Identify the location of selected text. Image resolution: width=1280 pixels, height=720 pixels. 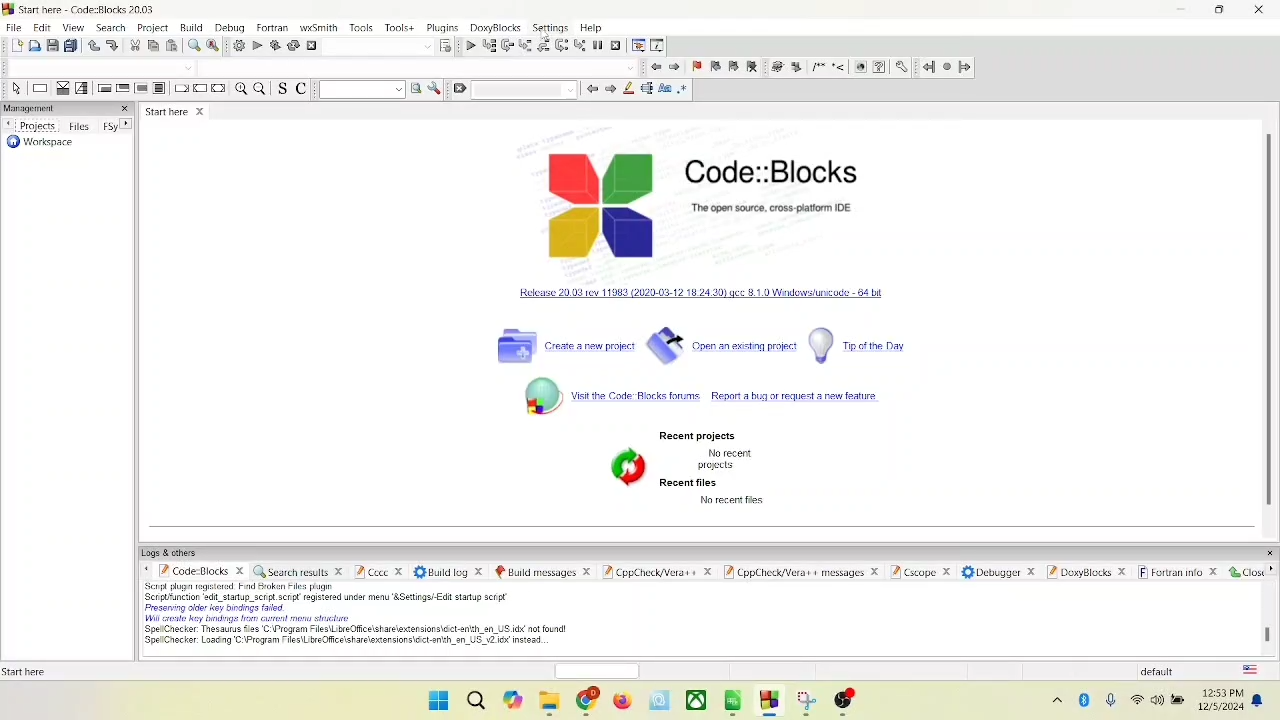
(648, 91).